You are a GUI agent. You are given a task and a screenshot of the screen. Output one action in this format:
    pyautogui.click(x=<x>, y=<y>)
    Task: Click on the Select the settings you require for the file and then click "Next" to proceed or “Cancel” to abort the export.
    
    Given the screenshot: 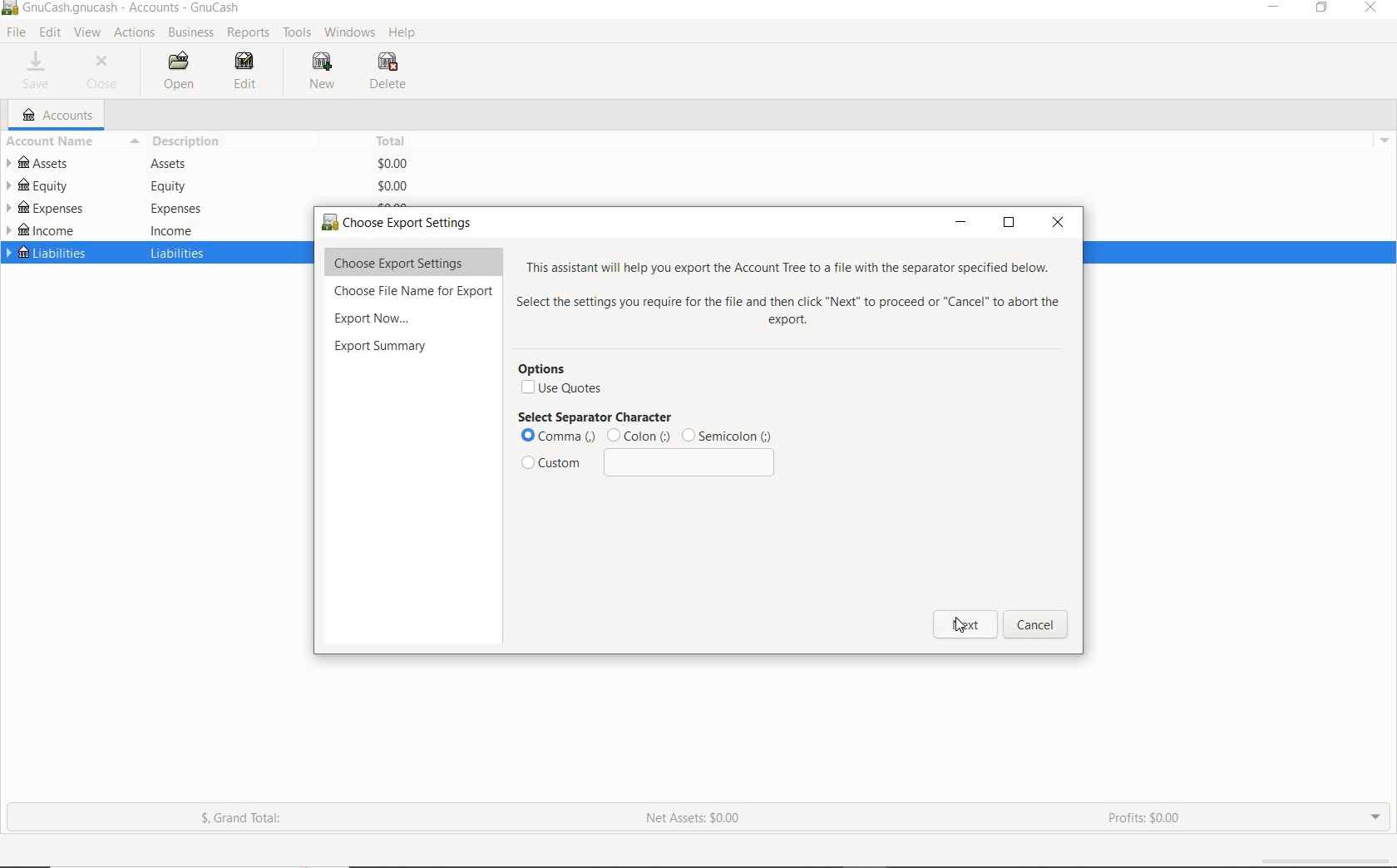 What is the action you would take?
    pyautogui.click(x=789, y=310)
    